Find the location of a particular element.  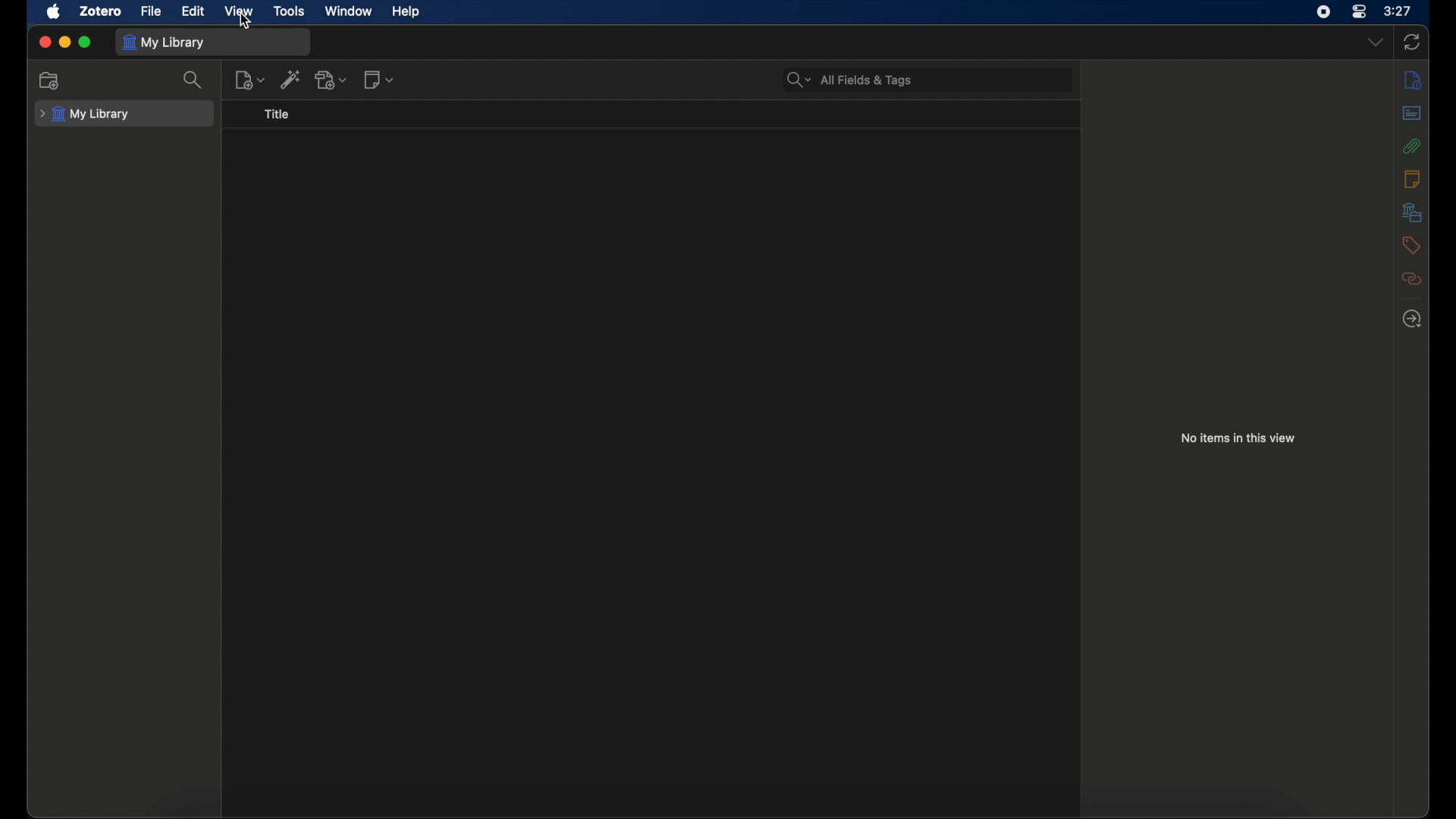

locate is located at coordinates (1411, 318).